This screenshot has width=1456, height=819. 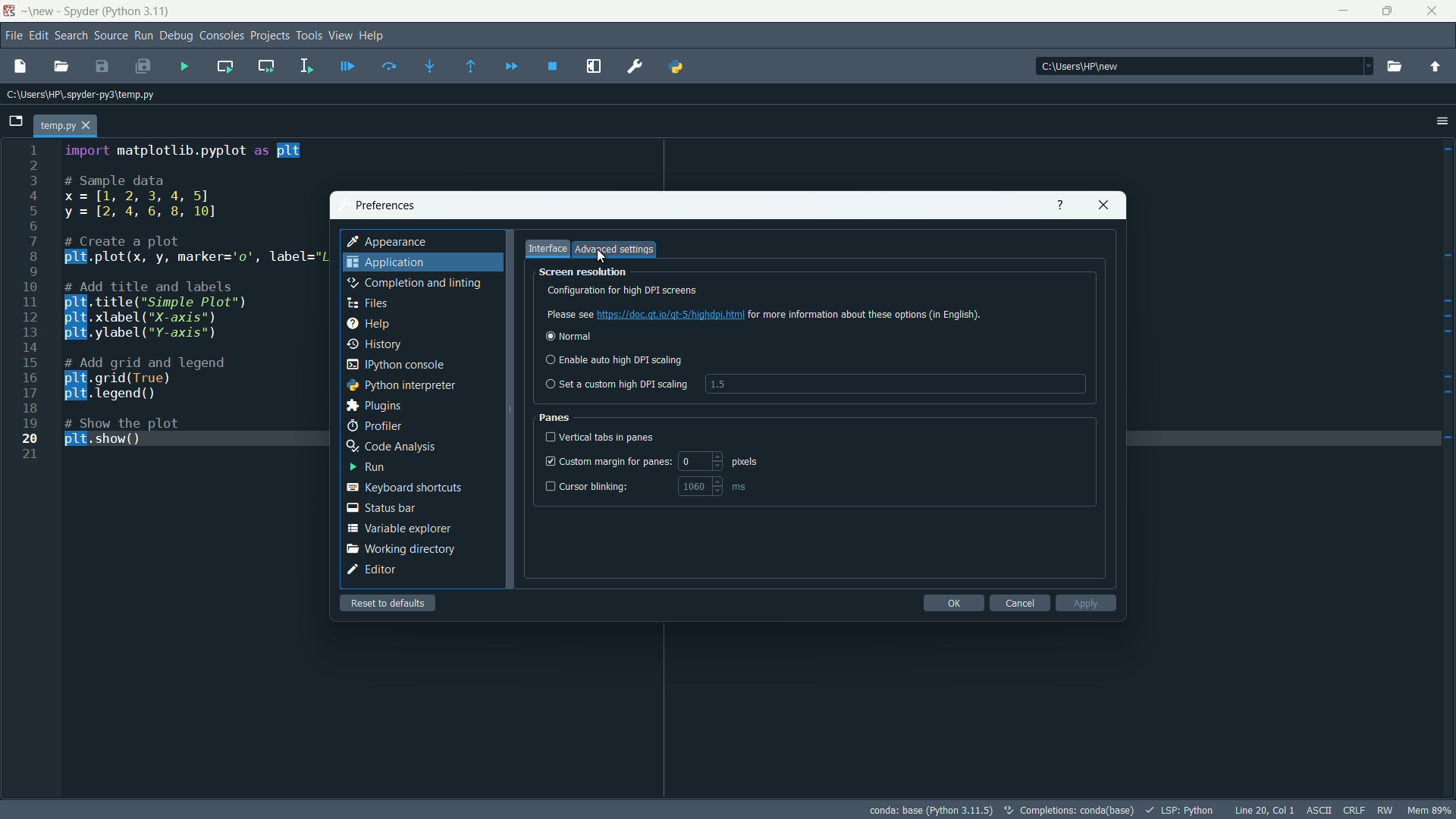 What do you see at coordinates (615, 250) in the screenshot?
I see `advance settings` at bounding box center [615, 250].